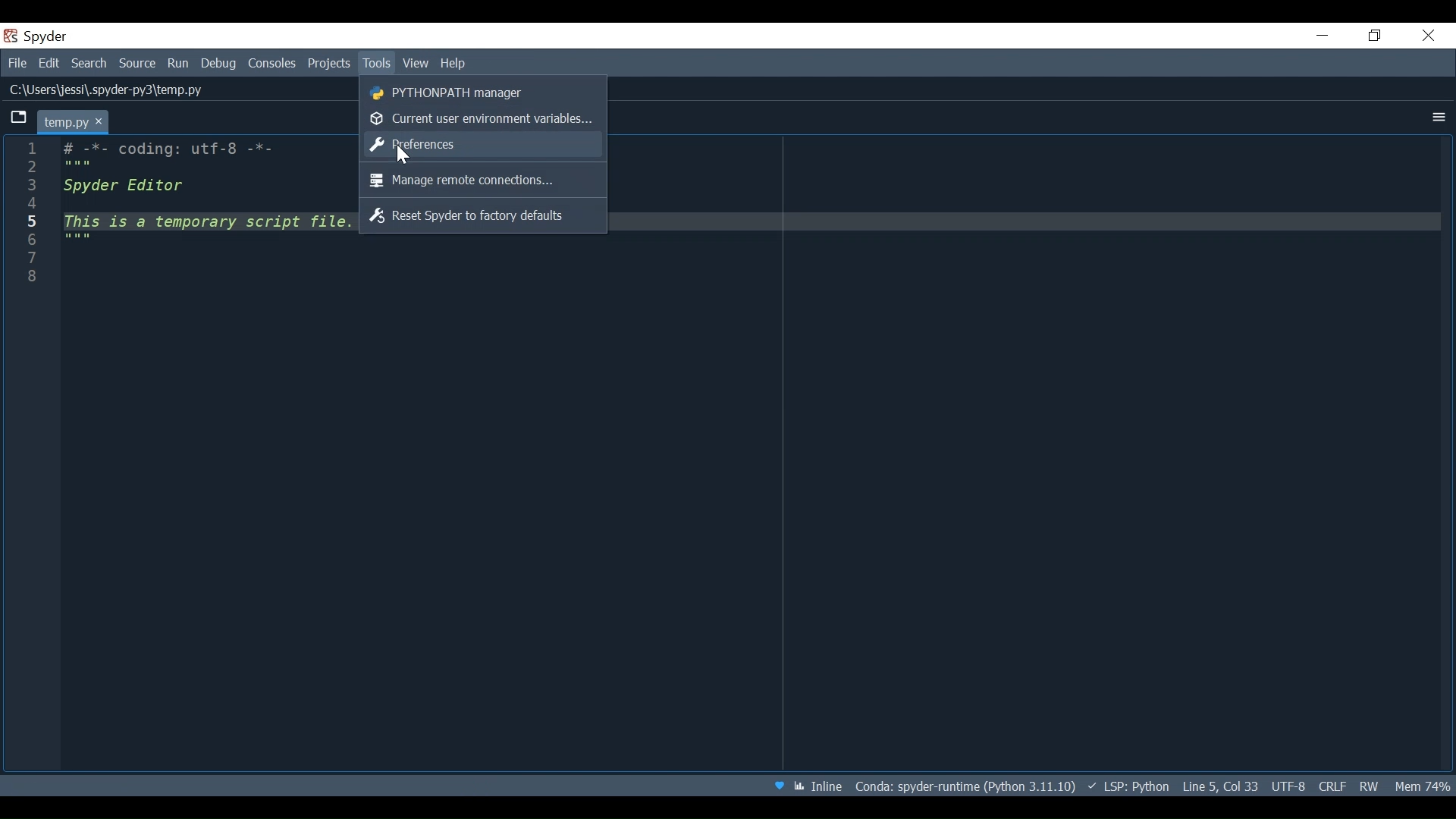 This screenshot has height=819, width=1456. What do you see at coordinates (35, 37) in the screenshot?
I see `Spyder Desktop Icon` at bounding box center [35, 37].